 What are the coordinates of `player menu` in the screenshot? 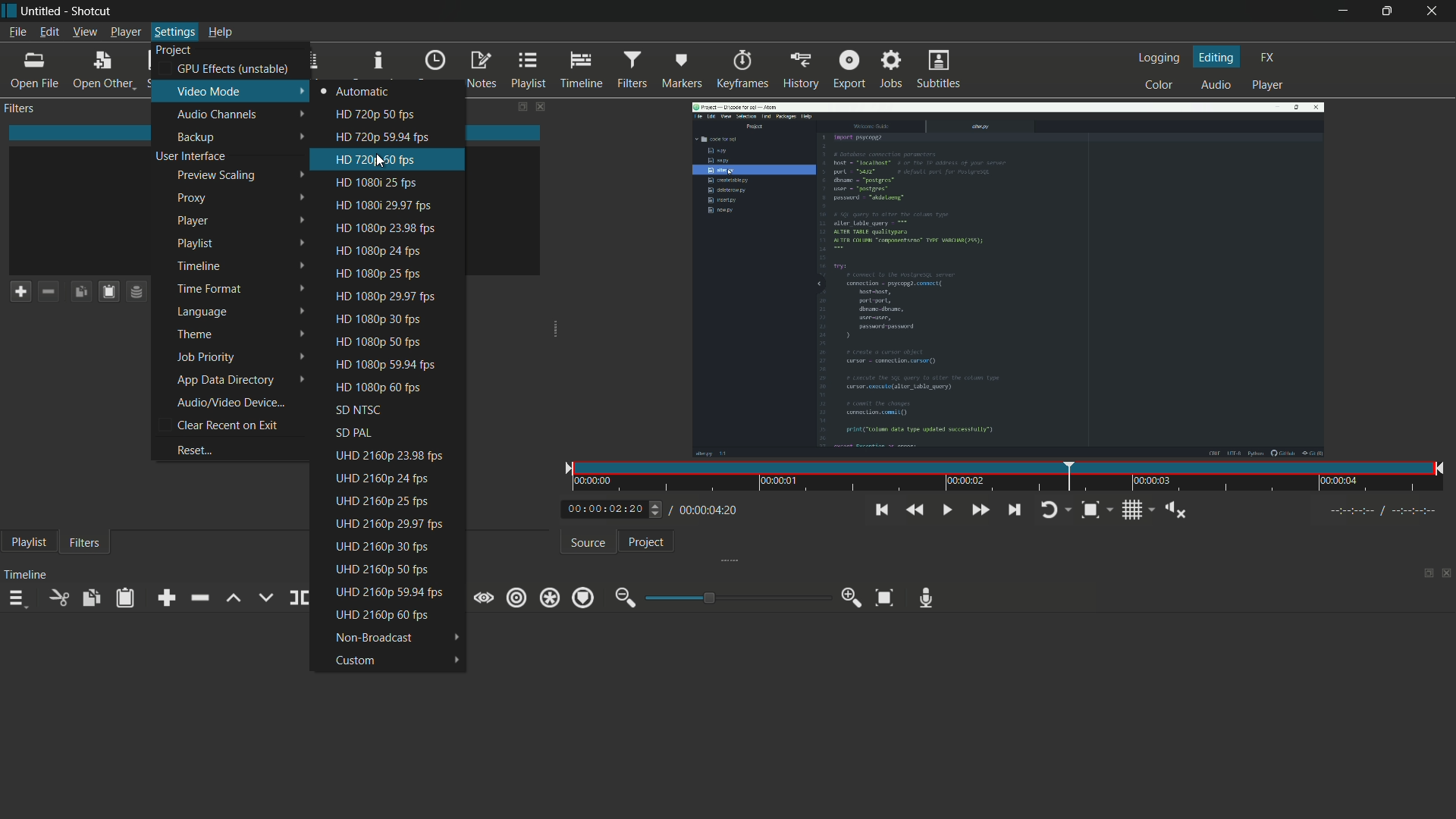 It's located at (124, 33).